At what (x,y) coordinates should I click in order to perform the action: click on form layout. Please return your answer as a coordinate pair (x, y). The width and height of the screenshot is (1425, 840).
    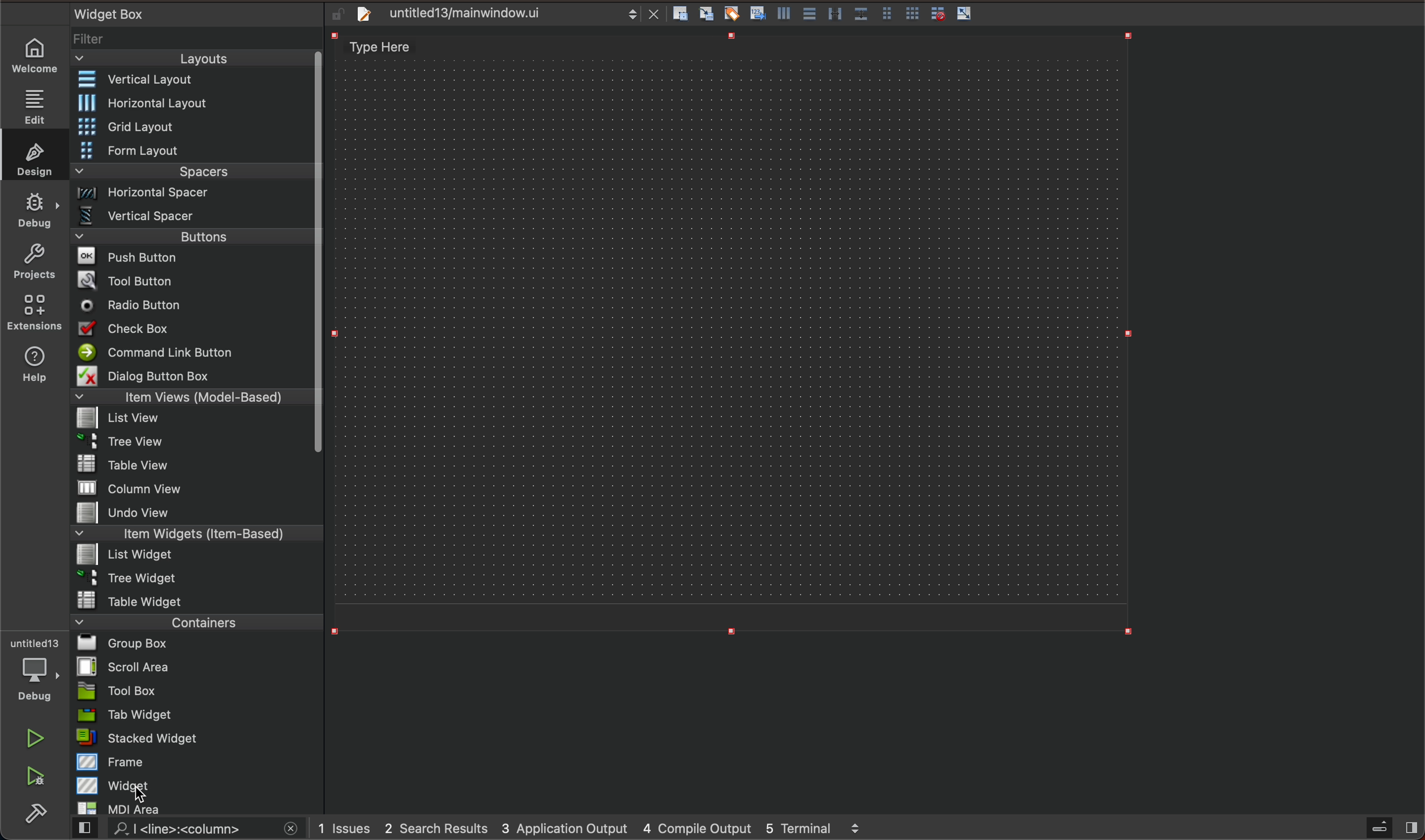
    Looking at the image, I should click on (193, 149).